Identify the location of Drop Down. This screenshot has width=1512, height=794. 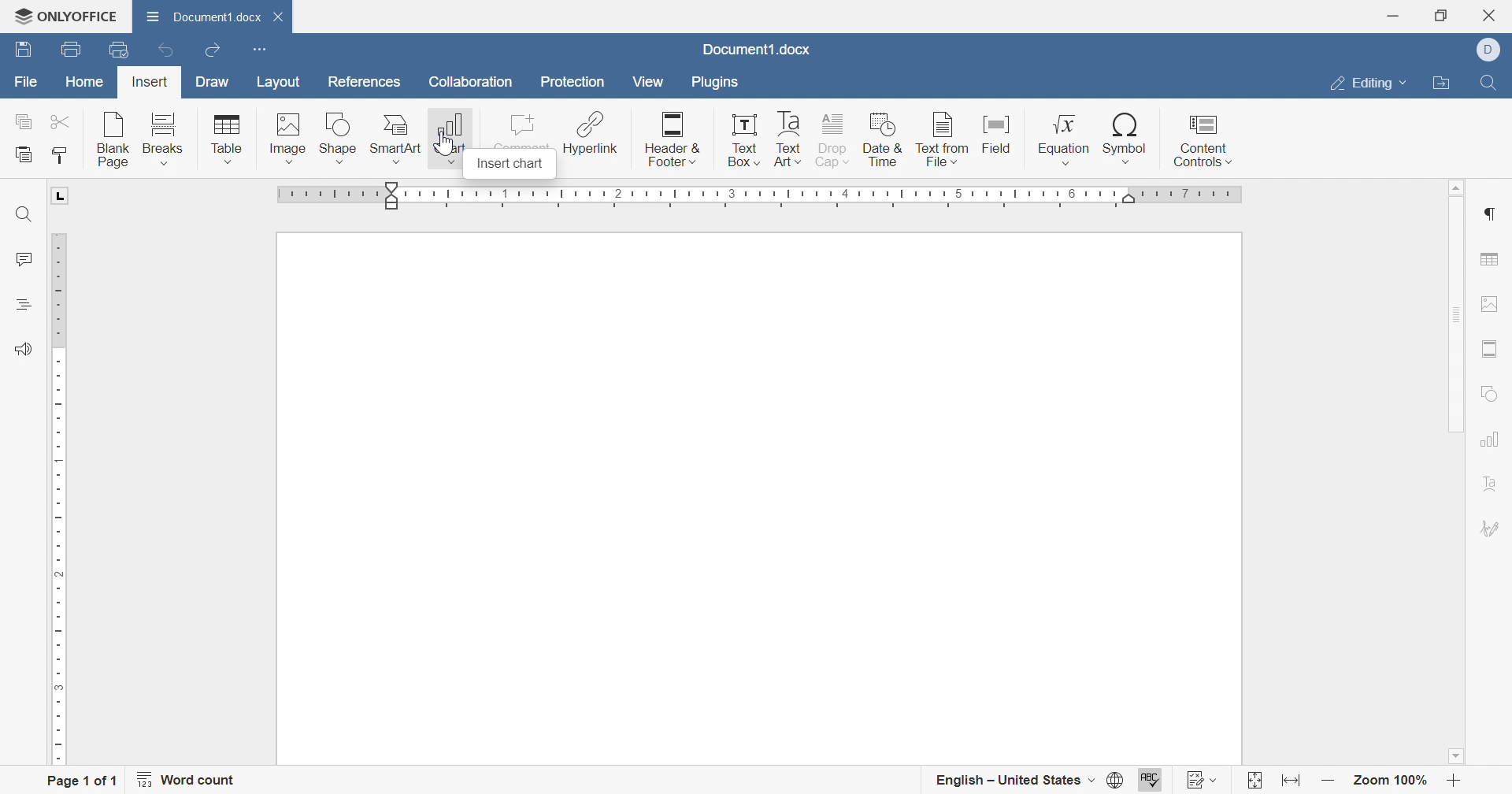
(1218, 779).